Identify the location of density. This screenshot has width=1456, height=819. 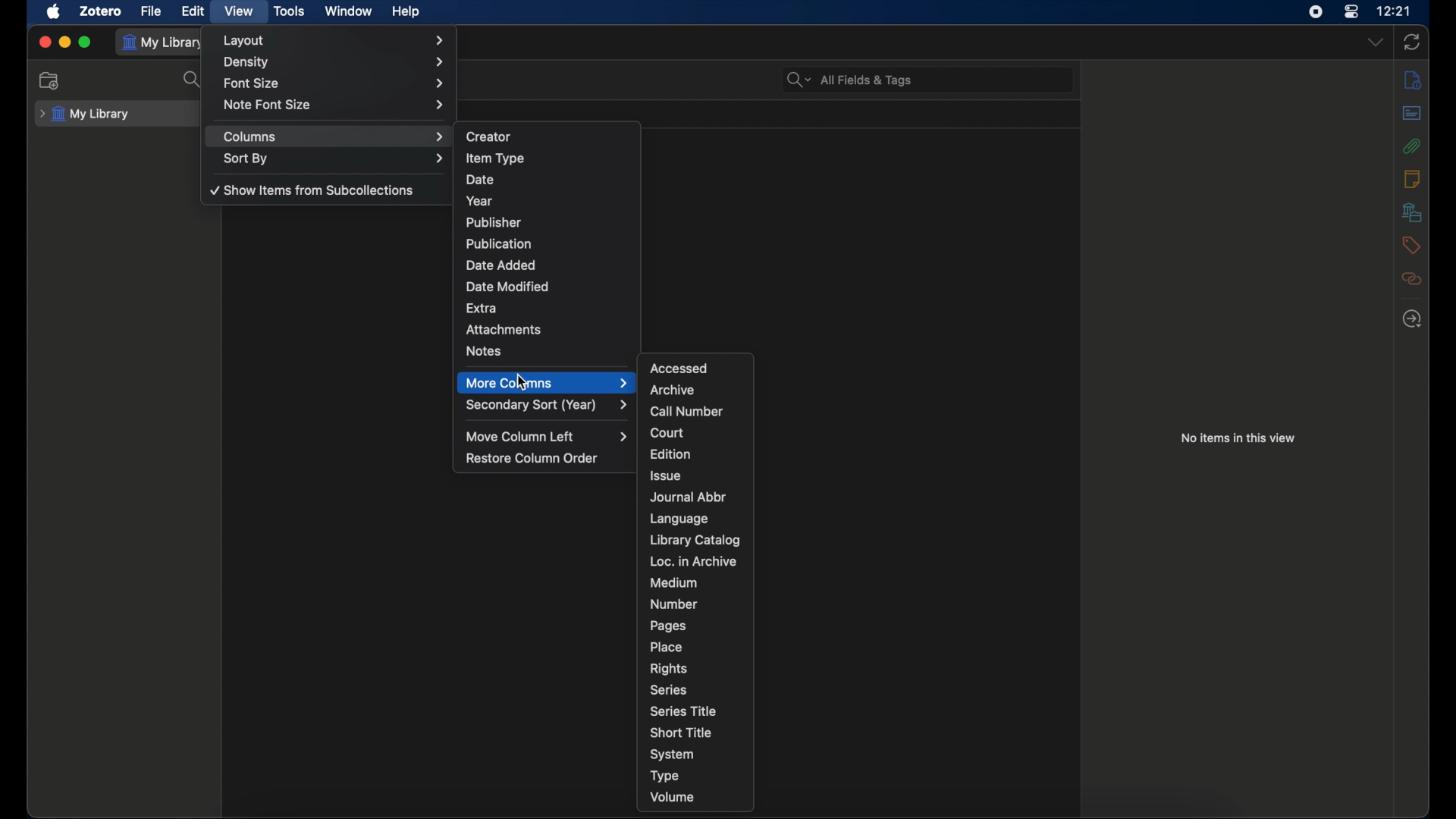
(335, 62).